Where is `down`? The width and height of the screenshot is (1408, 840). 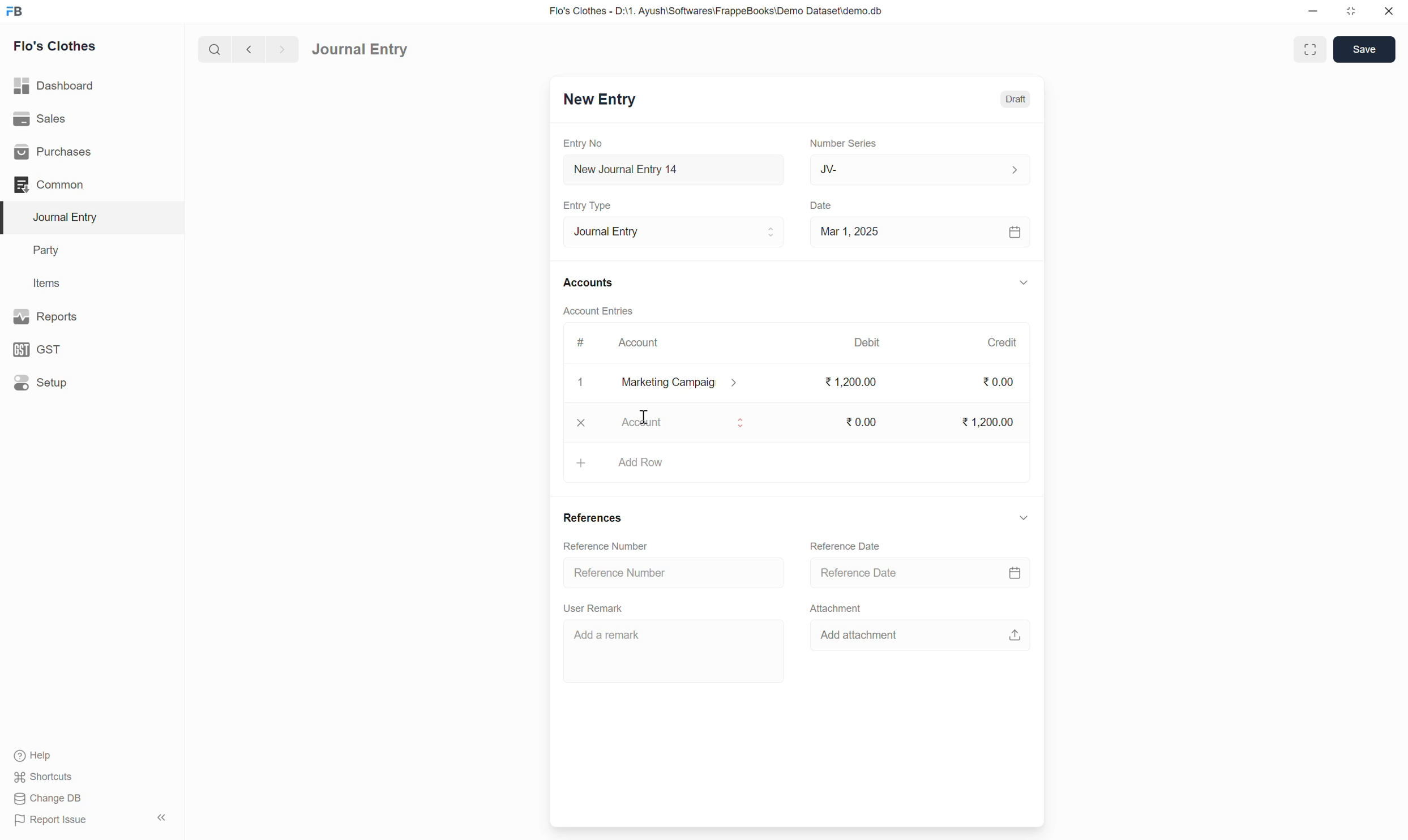
down is located at coordinates (1022, 514).